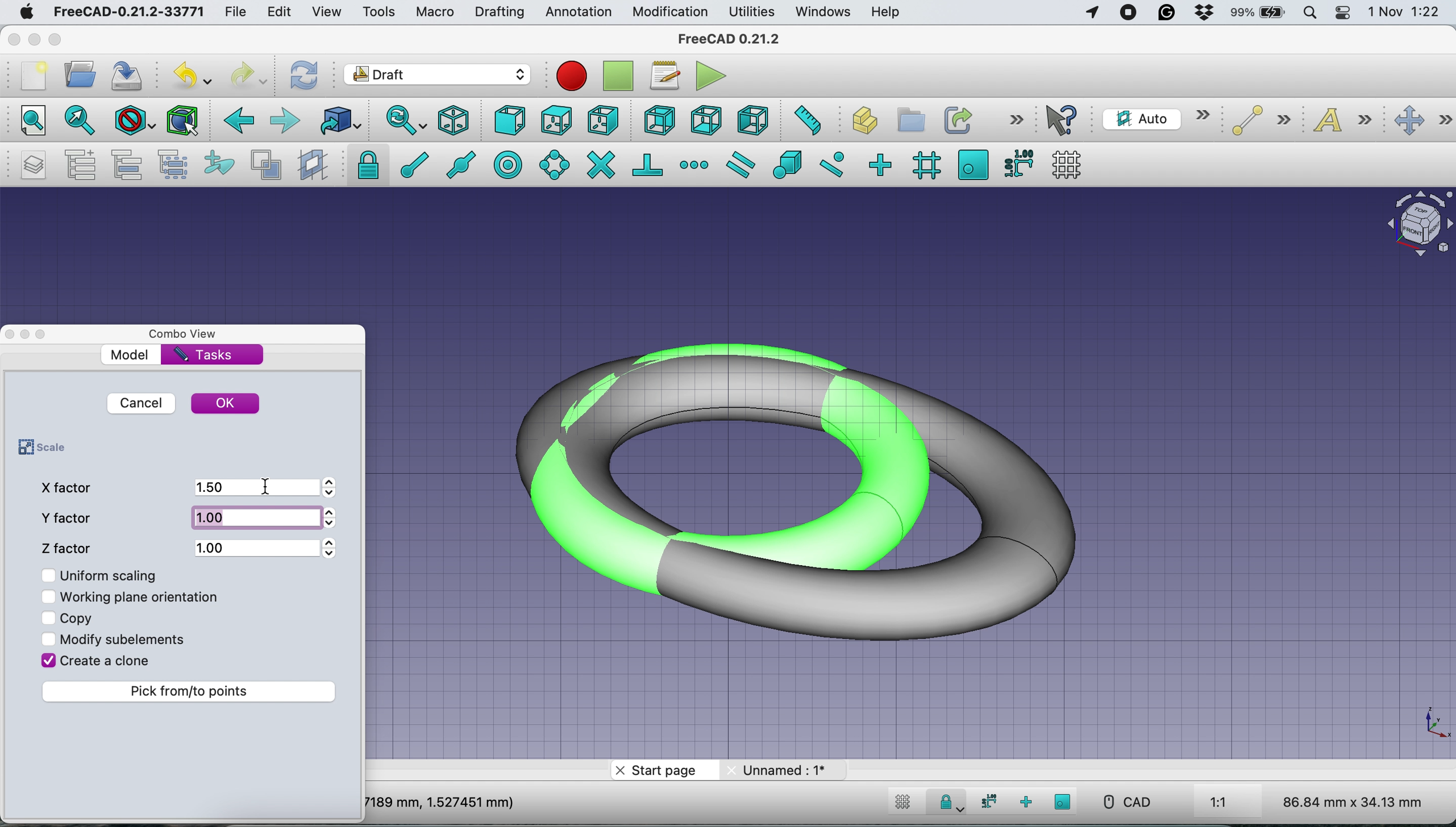  What do you see at coordinates (113, 575) in the screenshot?
I see `uniform scaling` at bounding box center [113, 575].